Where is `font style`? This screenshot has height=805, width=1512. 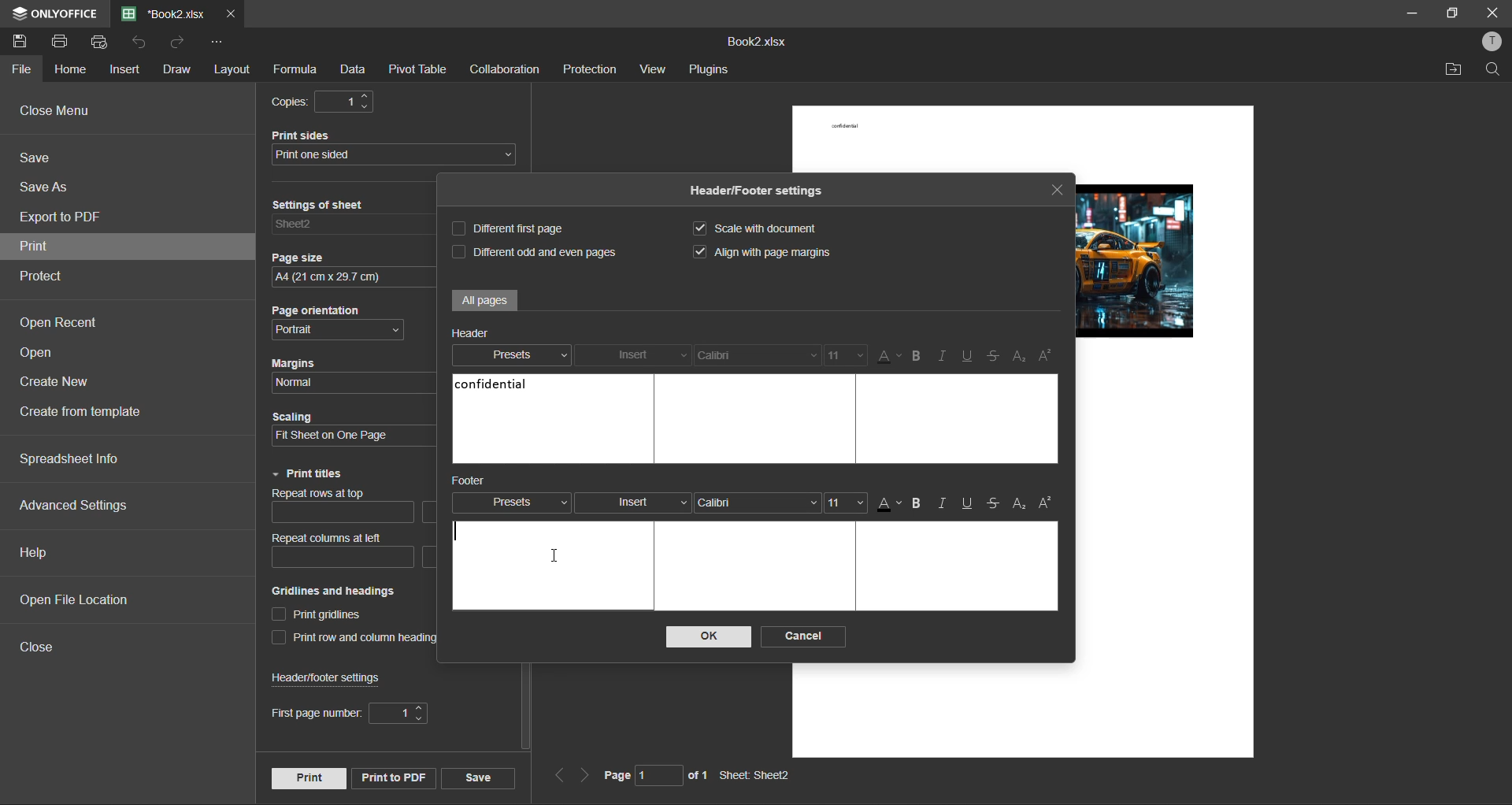 font style is located at coordinates (758, 503).